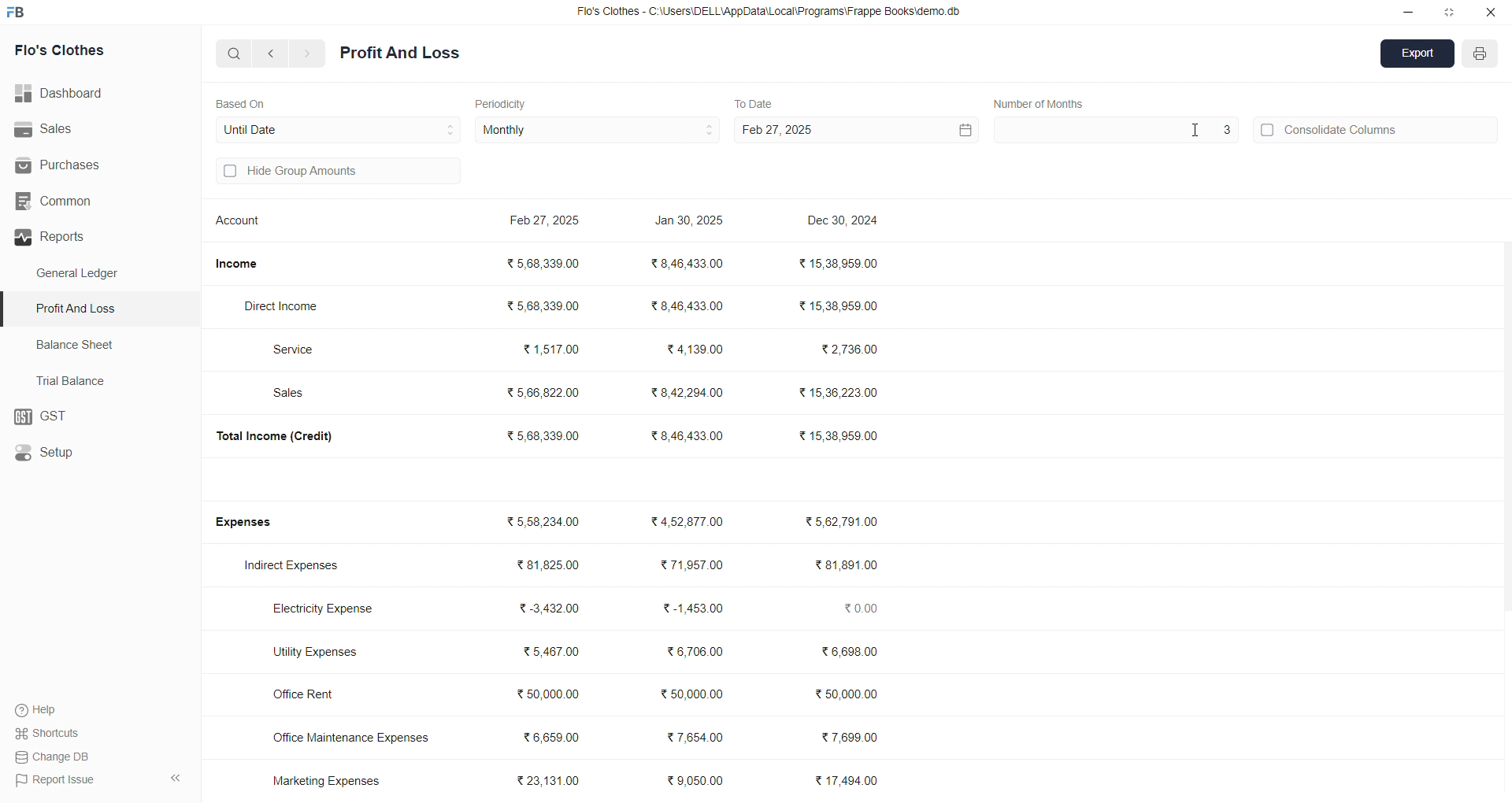 The width and height of the screenshot is (1512, 803). What do you see at coordinates (90, 130) in the screenshot?
I see `Sales` at bounding box center [90, 130].